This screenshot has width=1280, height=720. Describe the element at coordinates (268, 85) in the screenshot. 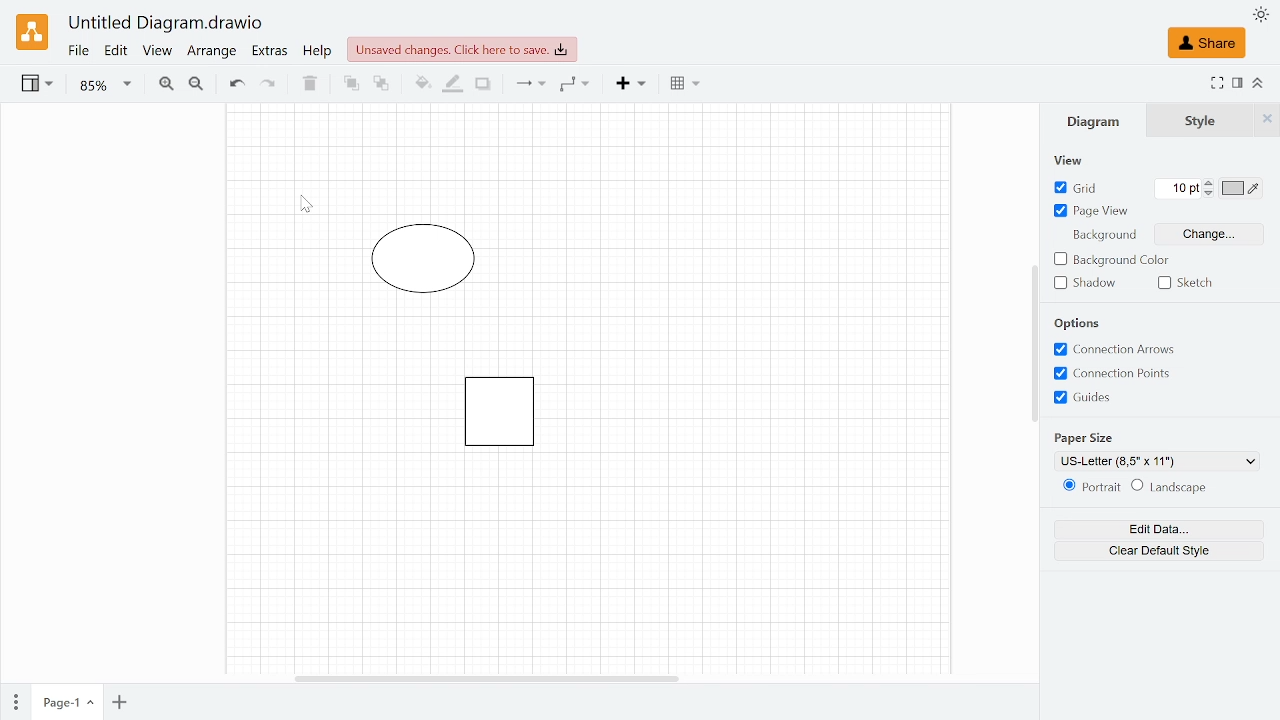

I see `Redo` at that location.